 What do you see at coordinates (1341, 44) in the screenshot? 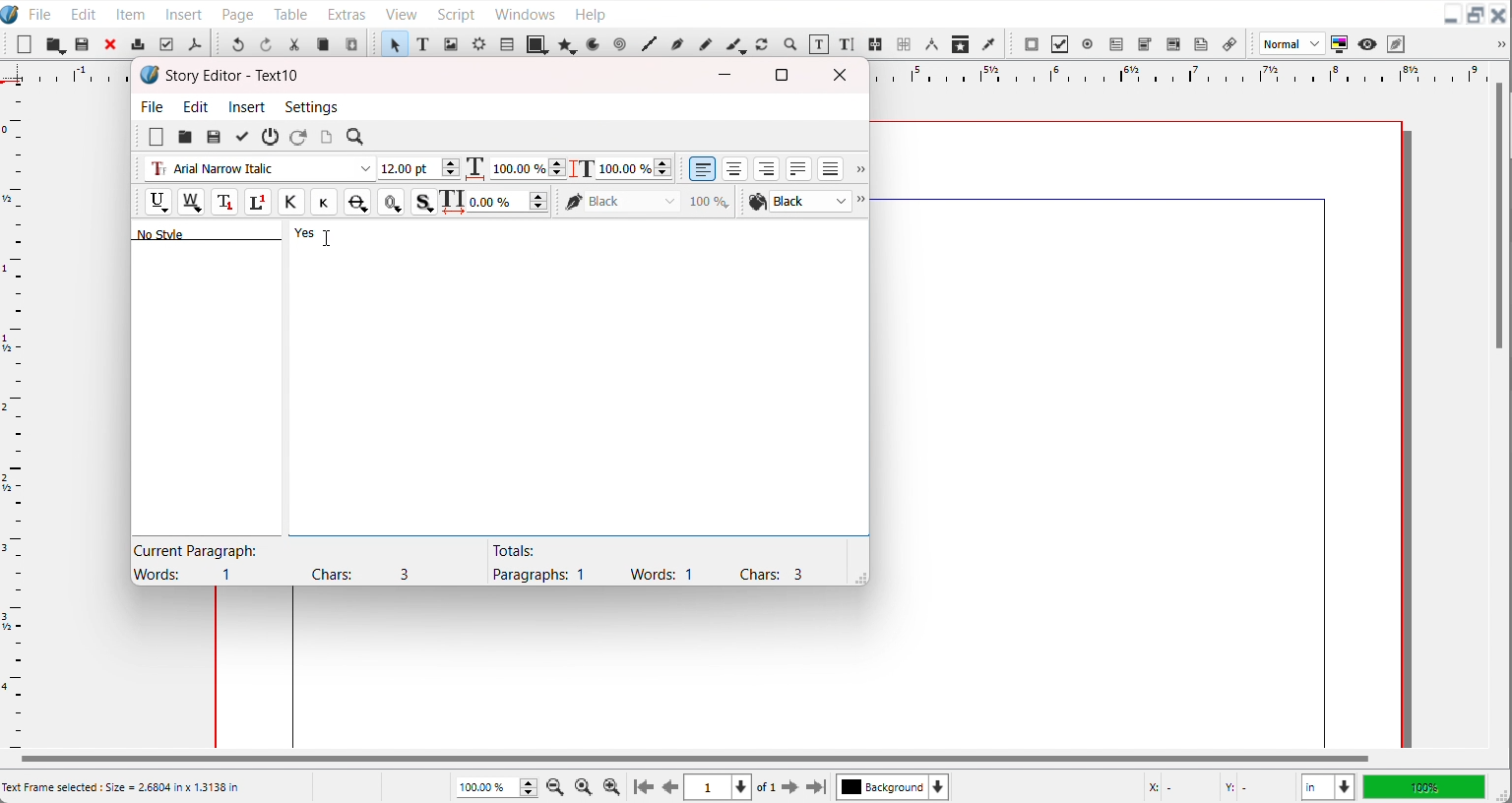
I see `Toggle color` at bounding box center [1341, 44].